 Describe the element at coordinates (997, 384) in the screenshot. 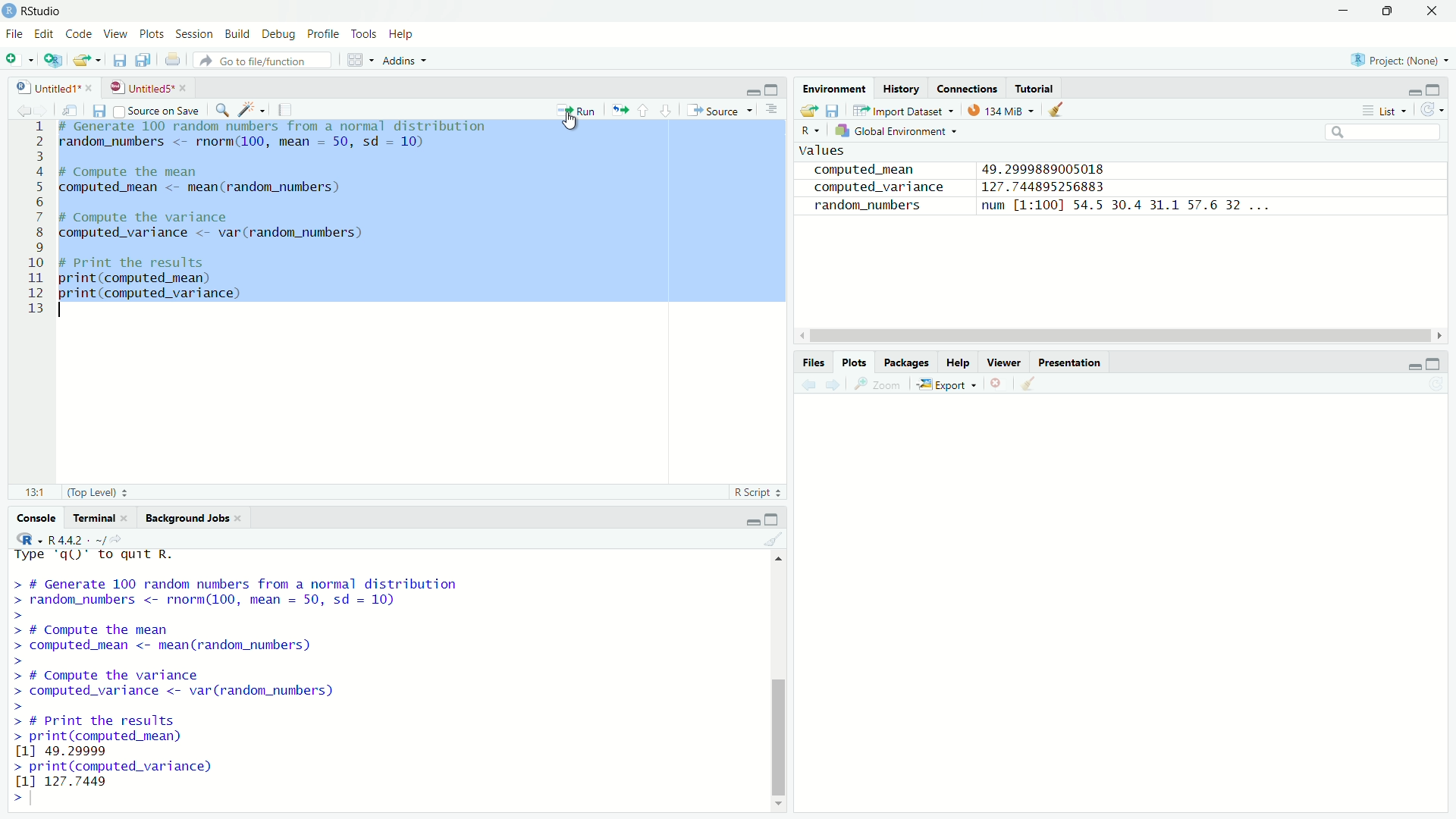

I see `remove the current plot` at that location.